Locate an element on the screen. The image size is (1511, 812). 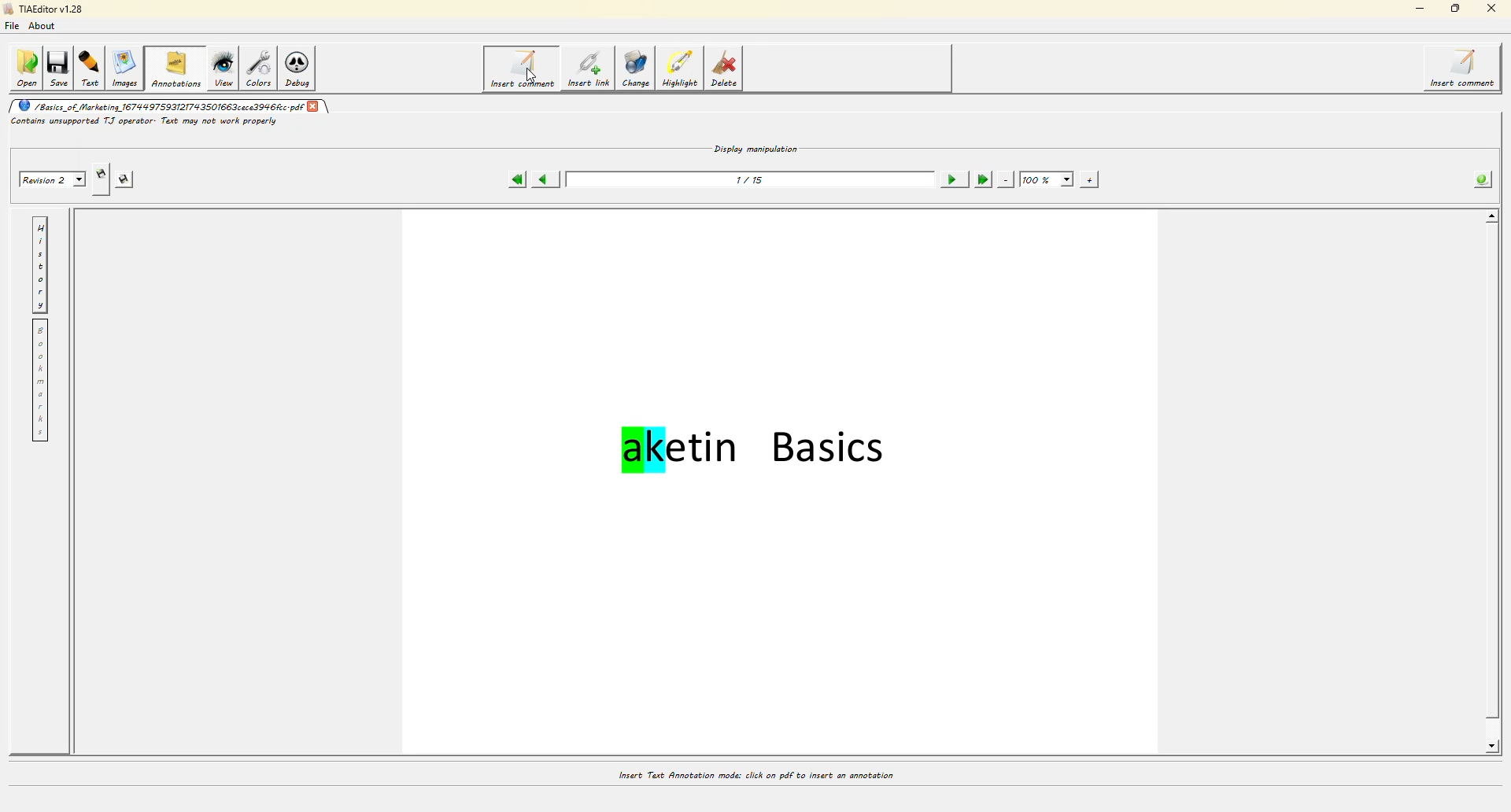
/Basics of Marketing 167999759312T793501663cece3996c.pdf is located at coordinates (158, 105).